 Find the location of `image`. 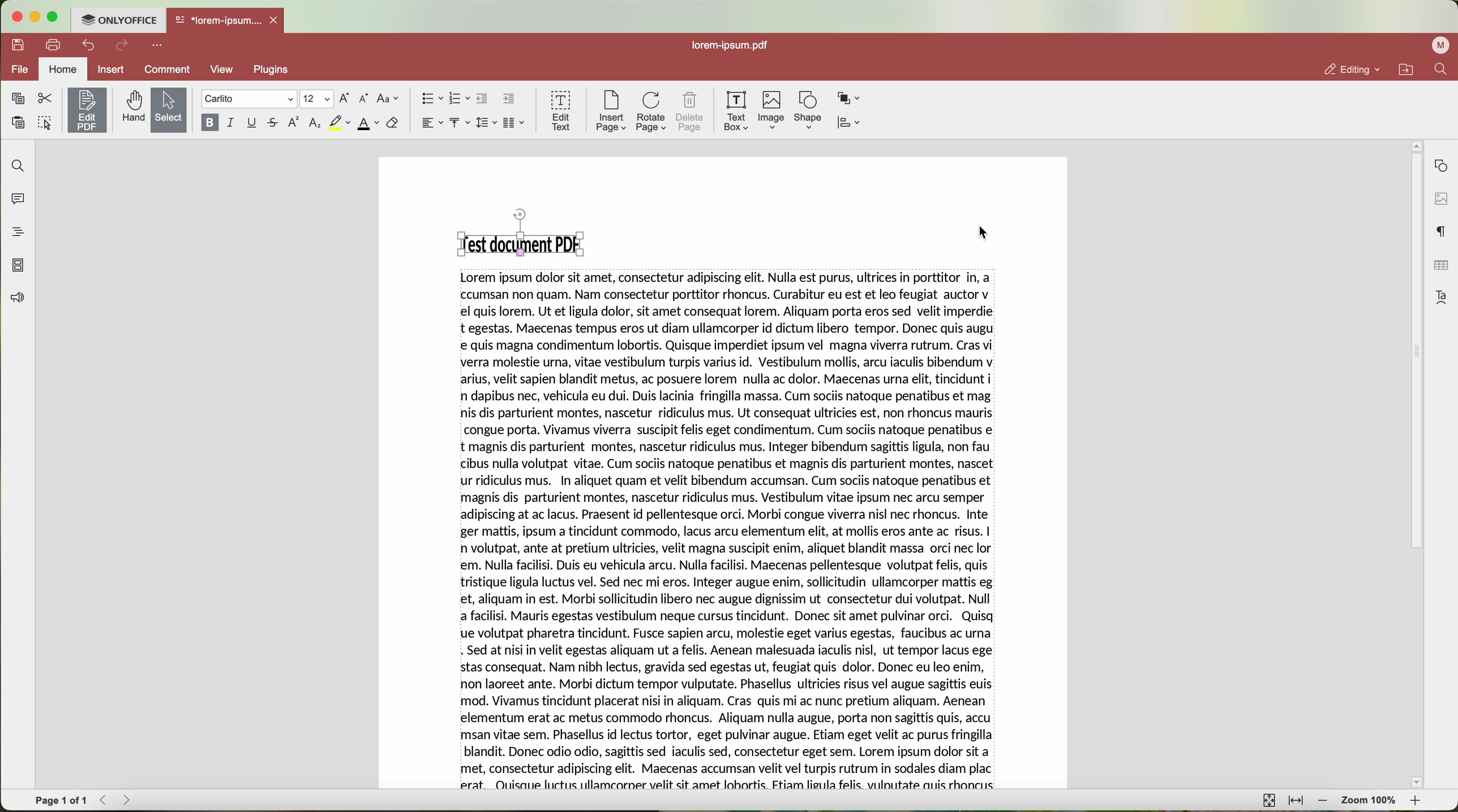

image is located at coordinates (773, 111).